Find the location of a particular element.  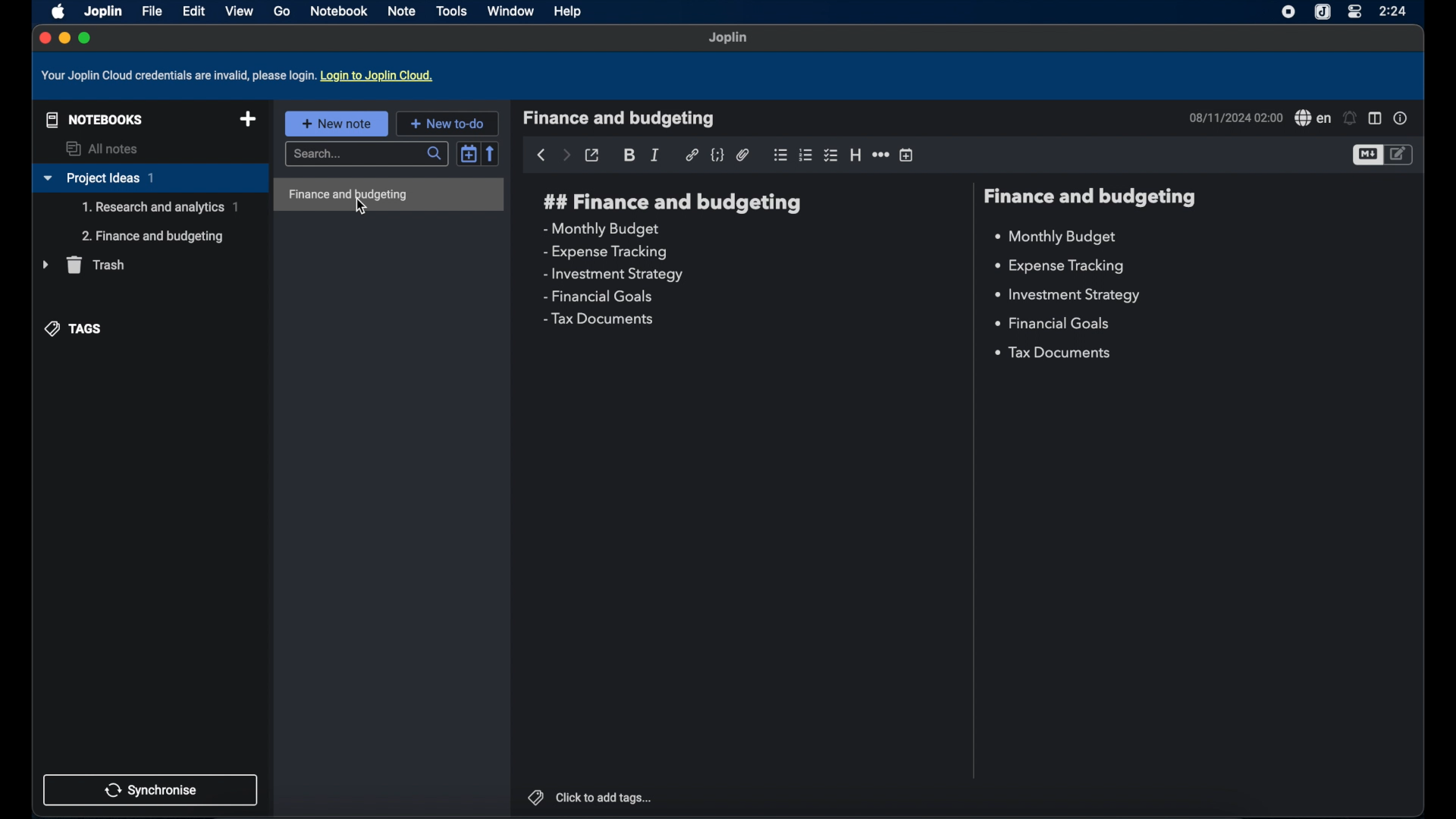

italic is located at coordinates (656, 155).